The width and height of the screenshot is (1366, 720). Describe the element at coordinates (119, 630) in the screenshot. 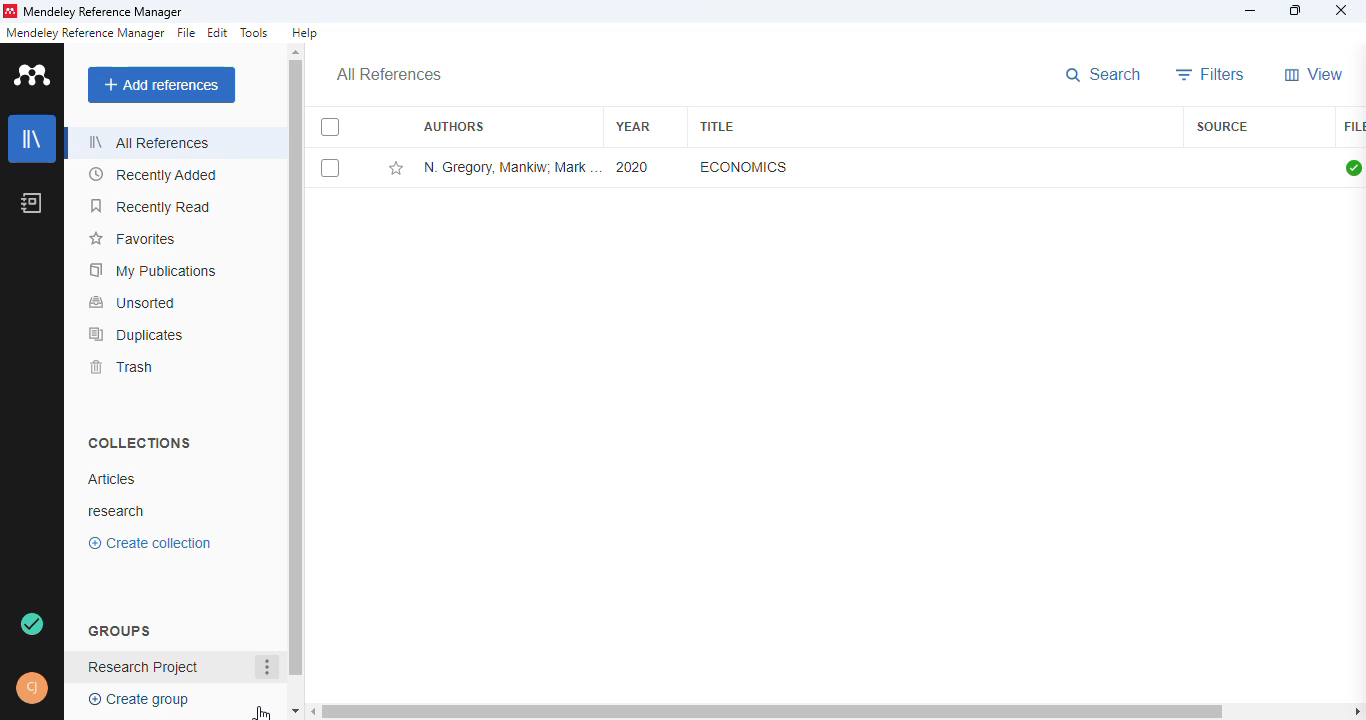

I see `groups` at that location.